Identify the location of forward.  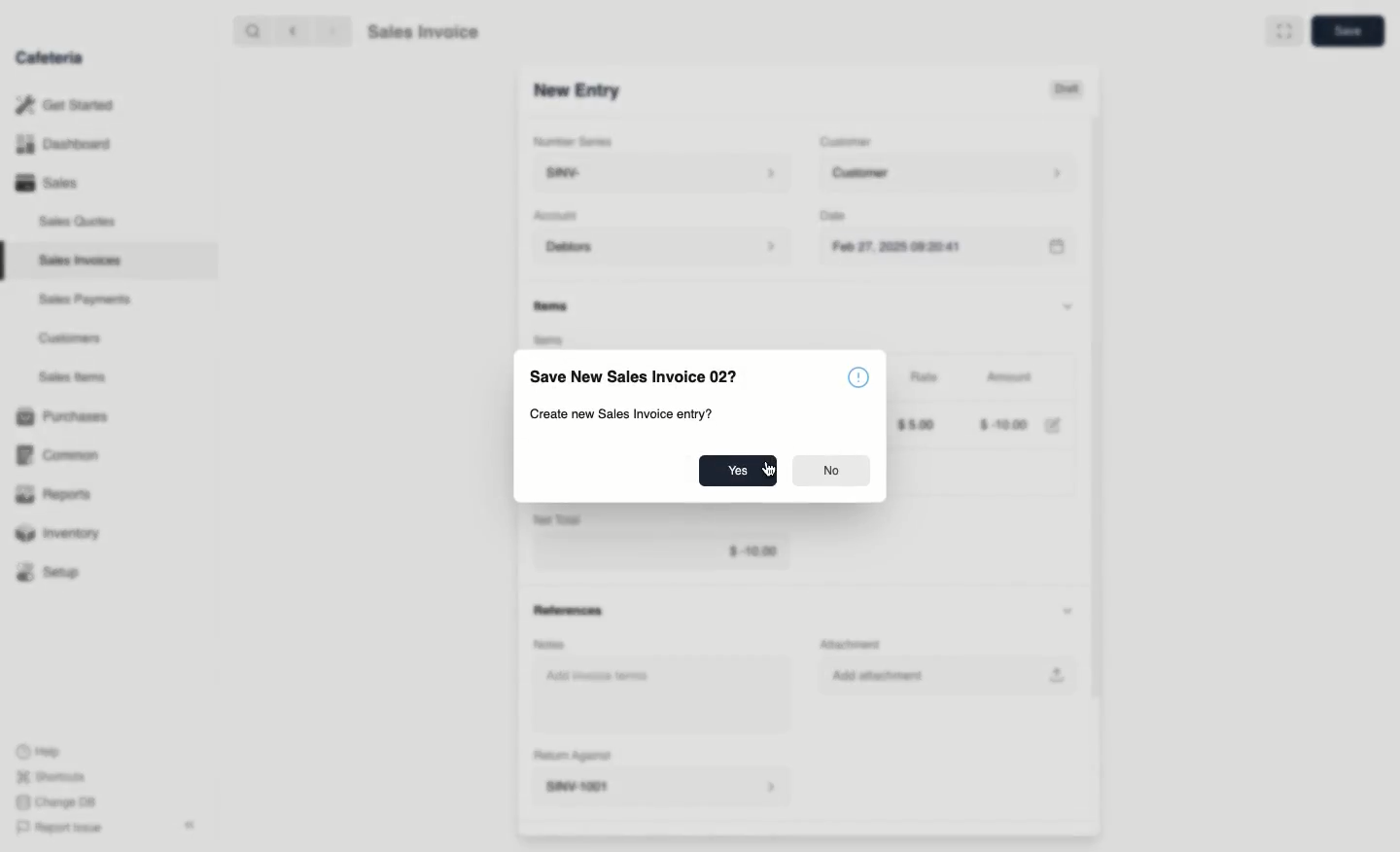
(334, 31).